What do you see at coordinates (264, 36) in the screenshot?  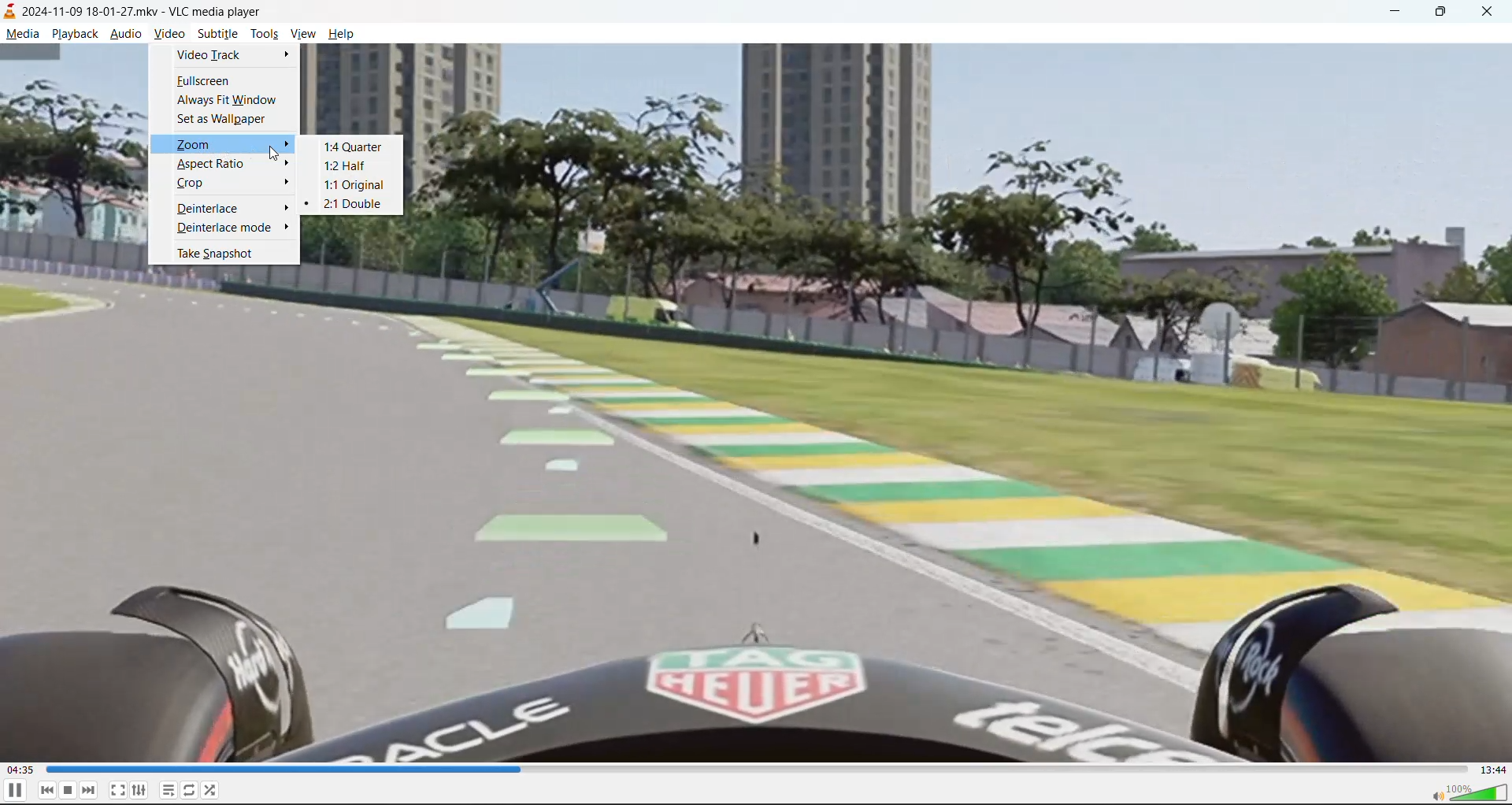 I see `tool` at bounding box center [264, 36].